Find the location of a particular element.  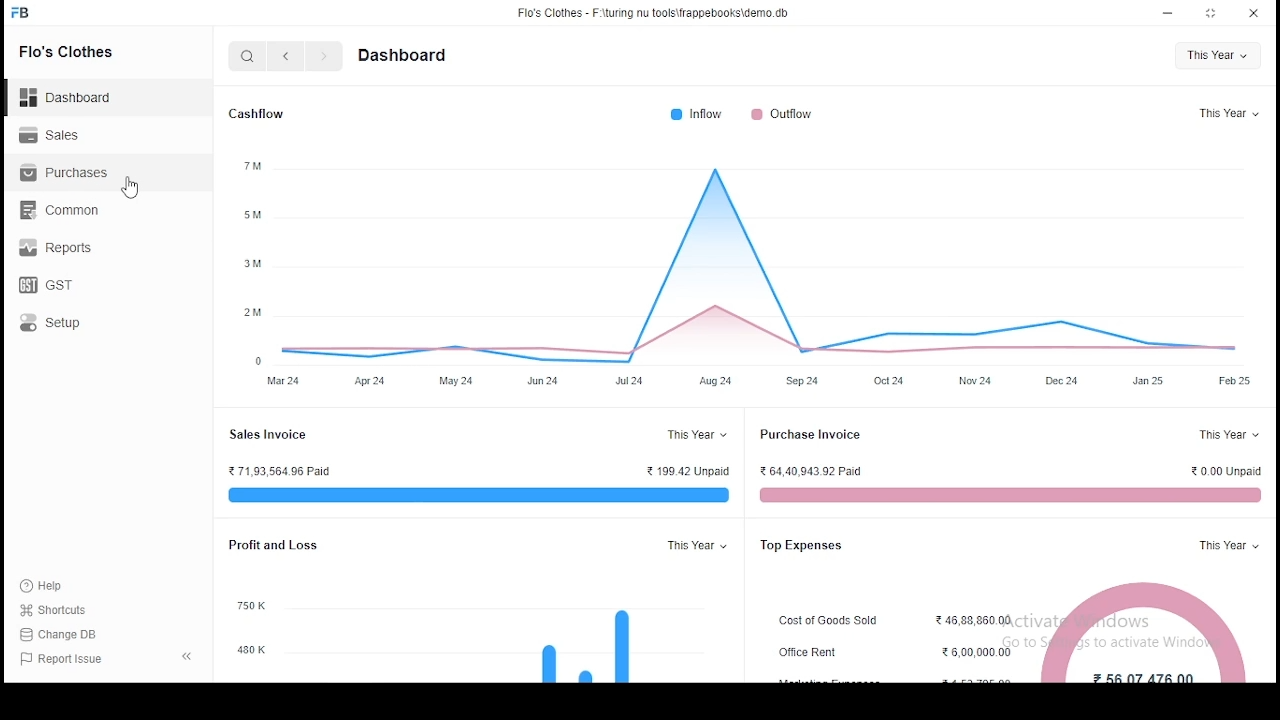

Sales Invoice is located at coordinates (271, 434).